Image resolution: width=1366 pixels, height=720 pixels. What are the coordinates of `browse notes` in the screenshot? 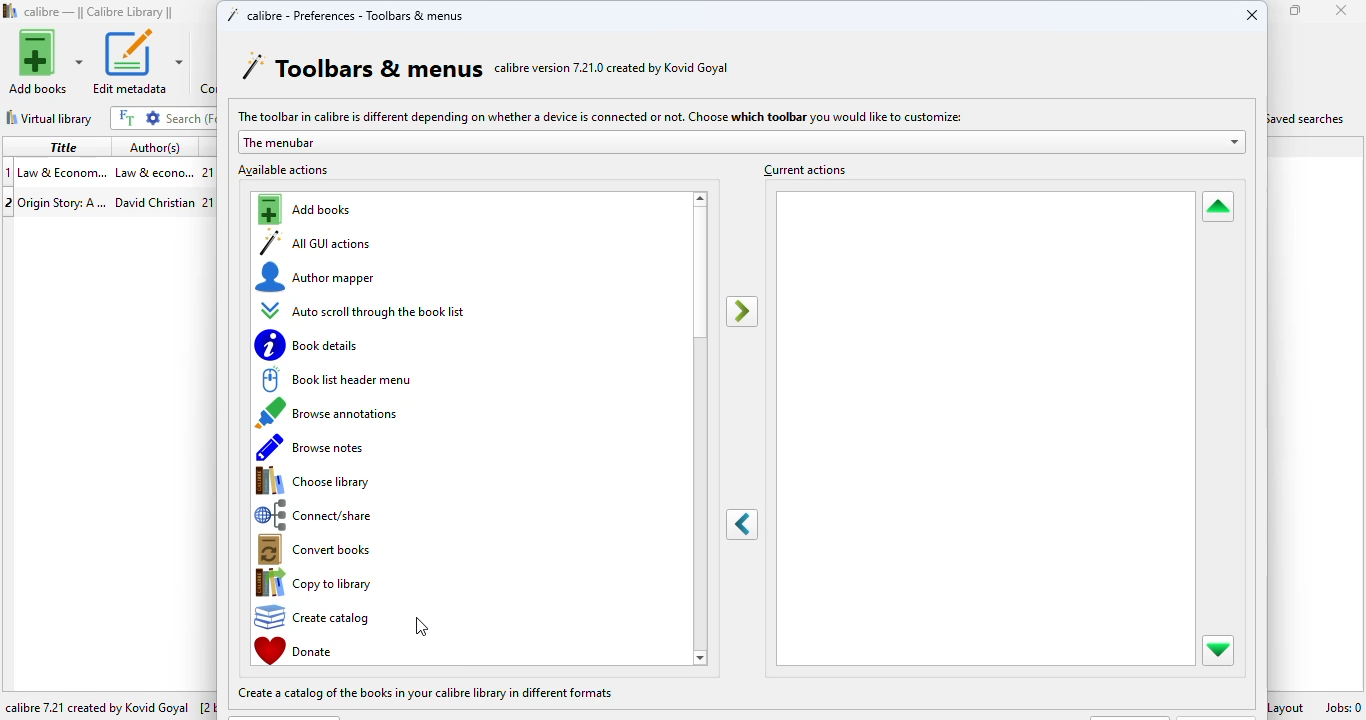 It's located at (311, 448).